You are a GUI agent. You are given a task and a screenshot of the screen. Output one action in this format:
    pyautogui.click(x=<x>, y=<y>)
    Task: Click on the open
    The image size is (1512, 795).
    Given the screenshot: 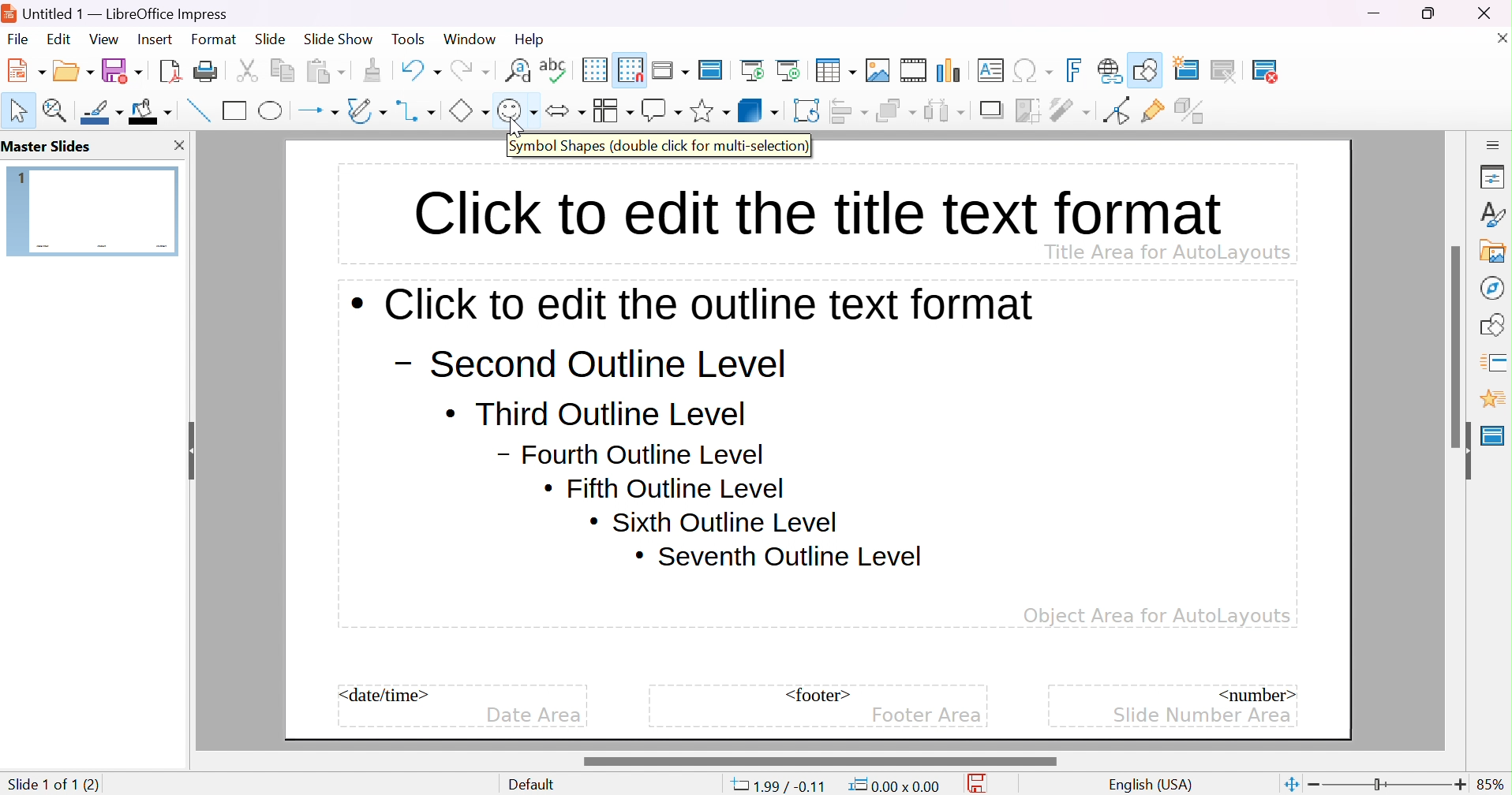 What is the action you would take?
    pyautogui.click(x=75, y=69)
    